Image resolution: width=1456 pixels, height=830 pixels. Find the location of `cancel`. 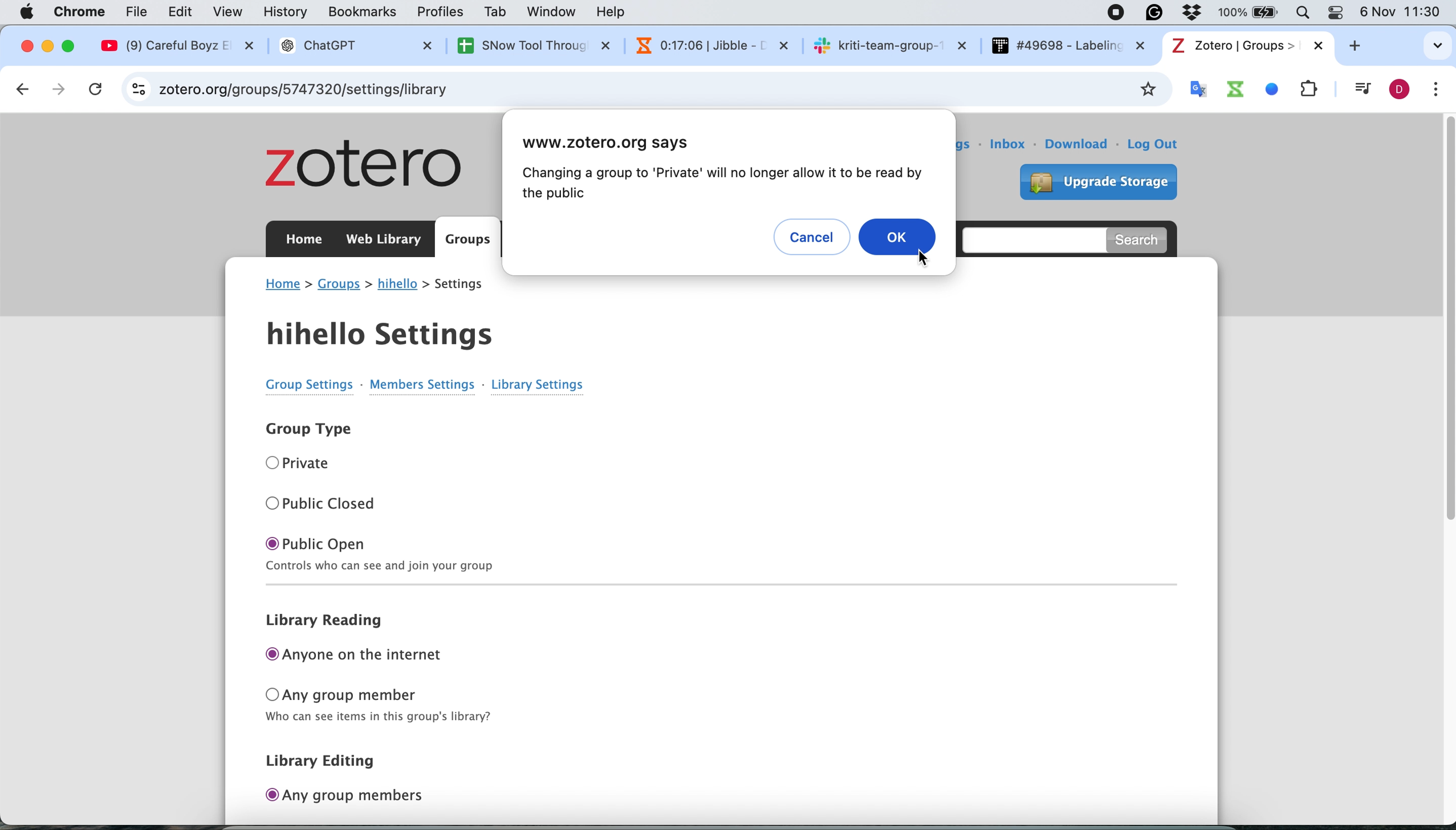

cancel is located at coordinates (99, 89).